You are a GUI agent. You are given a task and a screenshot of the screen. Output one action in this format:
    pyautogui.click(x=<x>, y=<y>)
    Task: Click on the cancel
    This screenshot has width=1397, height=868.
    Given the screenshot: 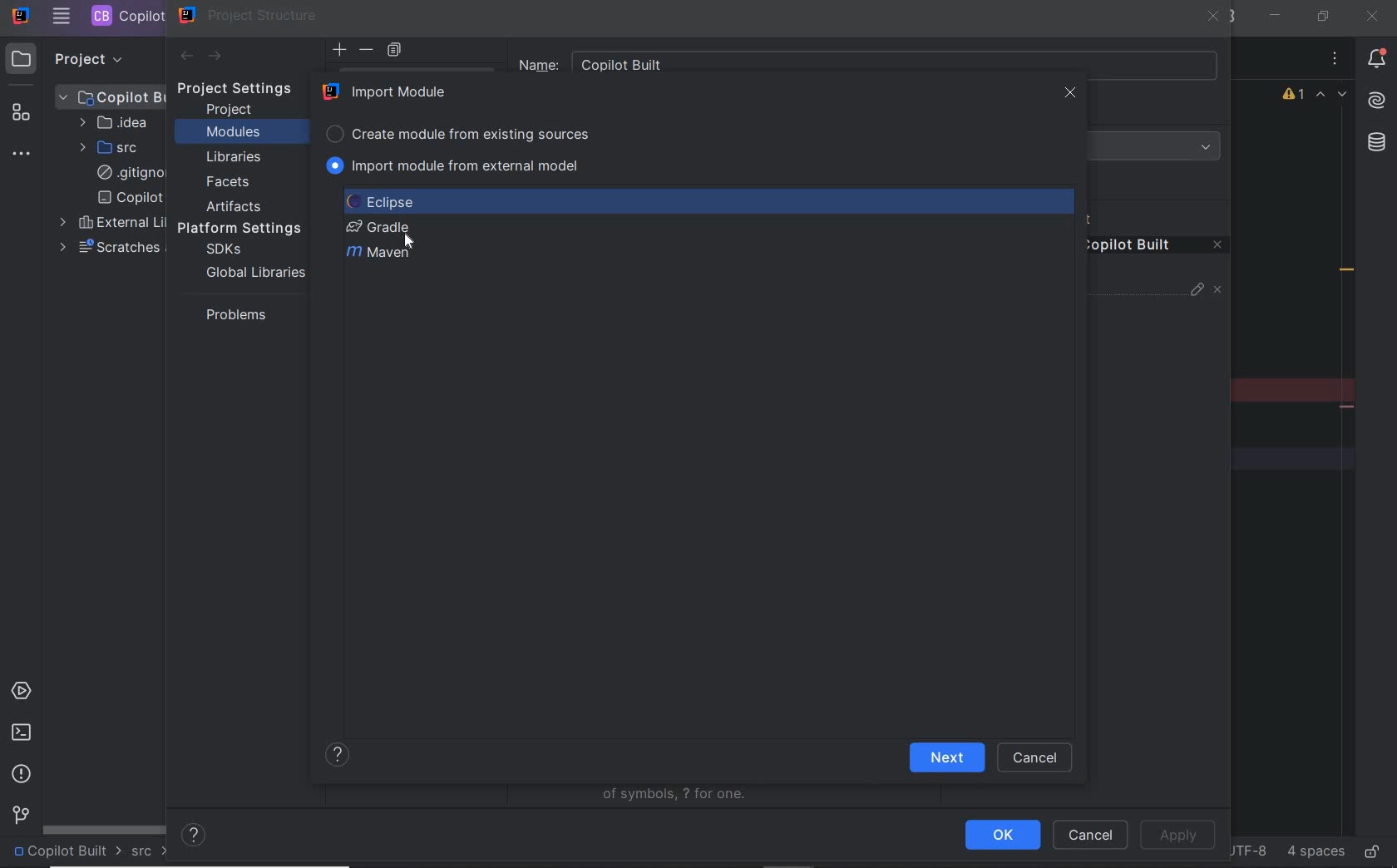 What is the action you would take?
    pyautogui.click(x=1090, y=836)
    